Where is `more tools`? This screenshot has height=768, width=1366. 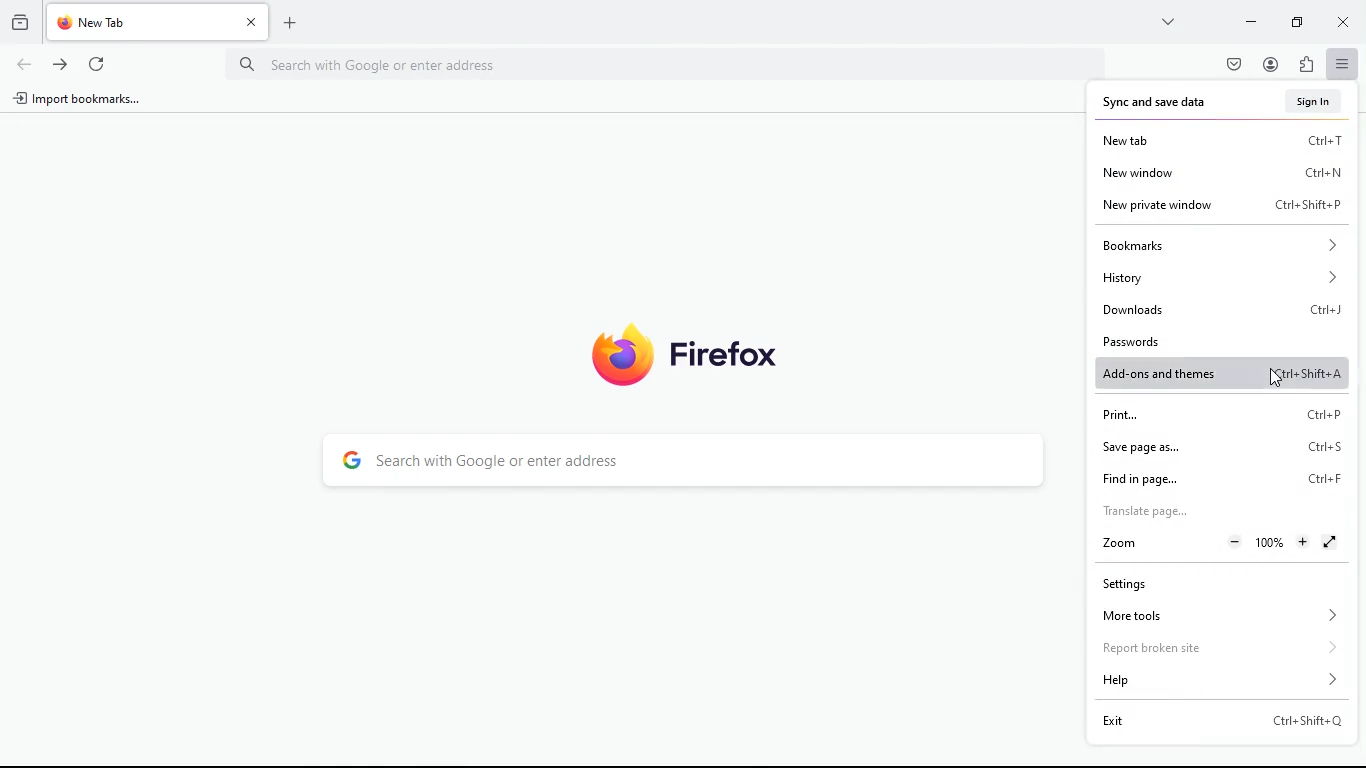 more tools is located at coordinates (1218, 615).